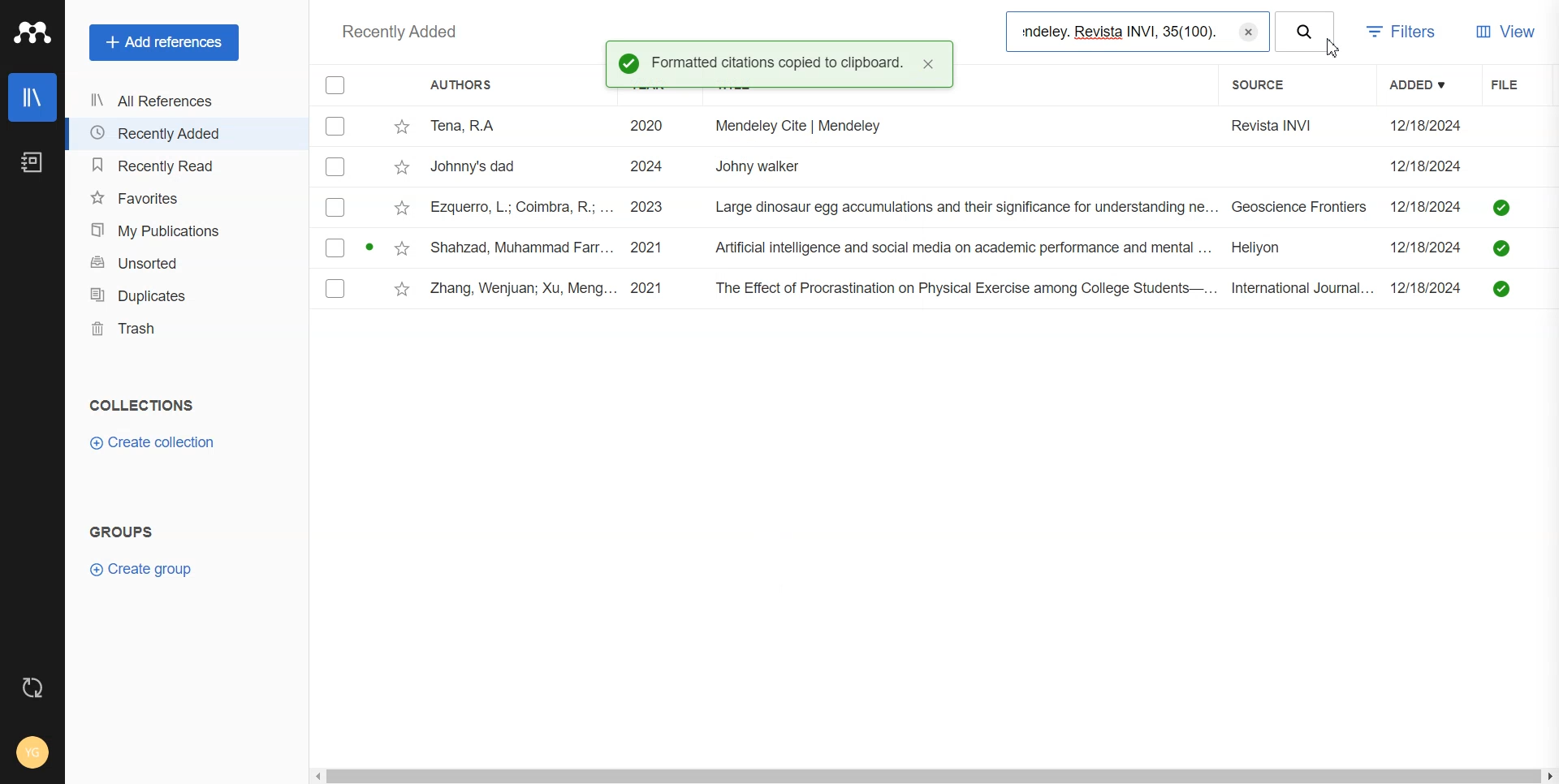  What do you see at coordinates (184, 166) in the screenshot?
I see `Recently Read` at bounding box center [184, 166].